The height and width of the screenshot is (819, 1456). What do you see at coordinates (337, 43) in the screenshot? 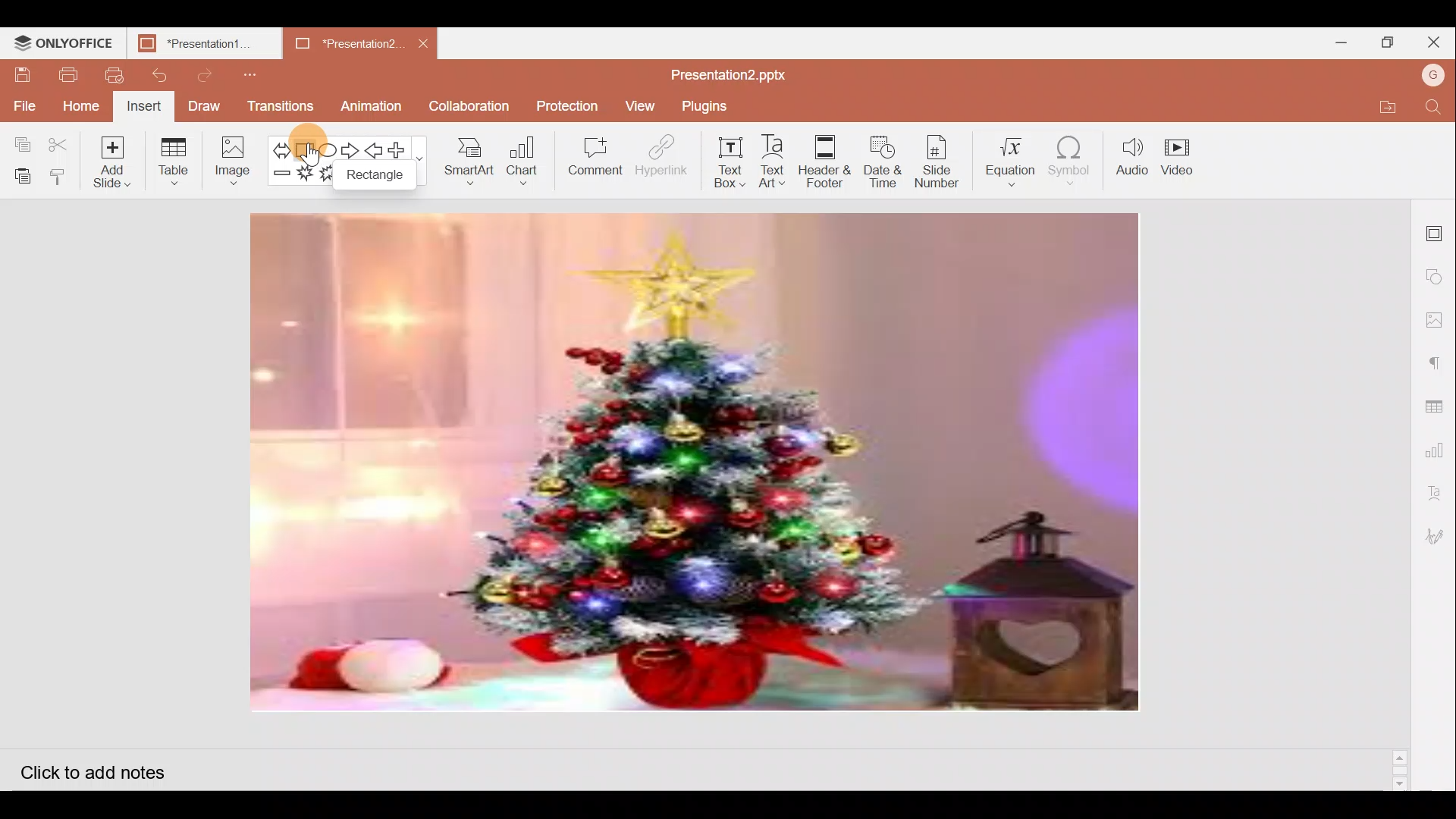
I see `Presentation2.` at bounding box center [337, 43].